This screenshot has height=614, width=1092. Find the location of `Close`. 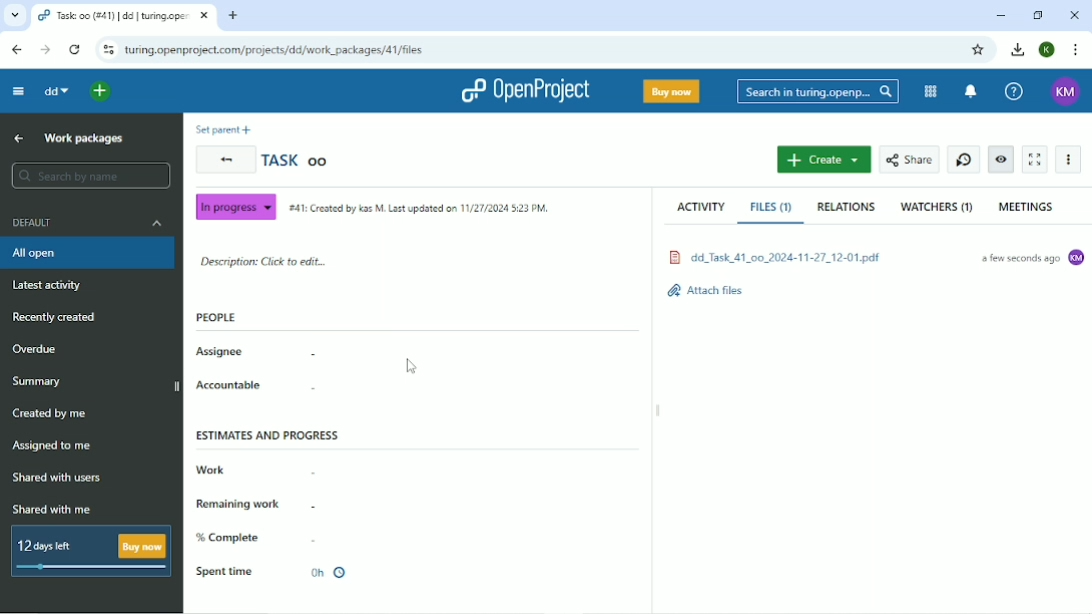

Close is located at coordinates (1074, 14).